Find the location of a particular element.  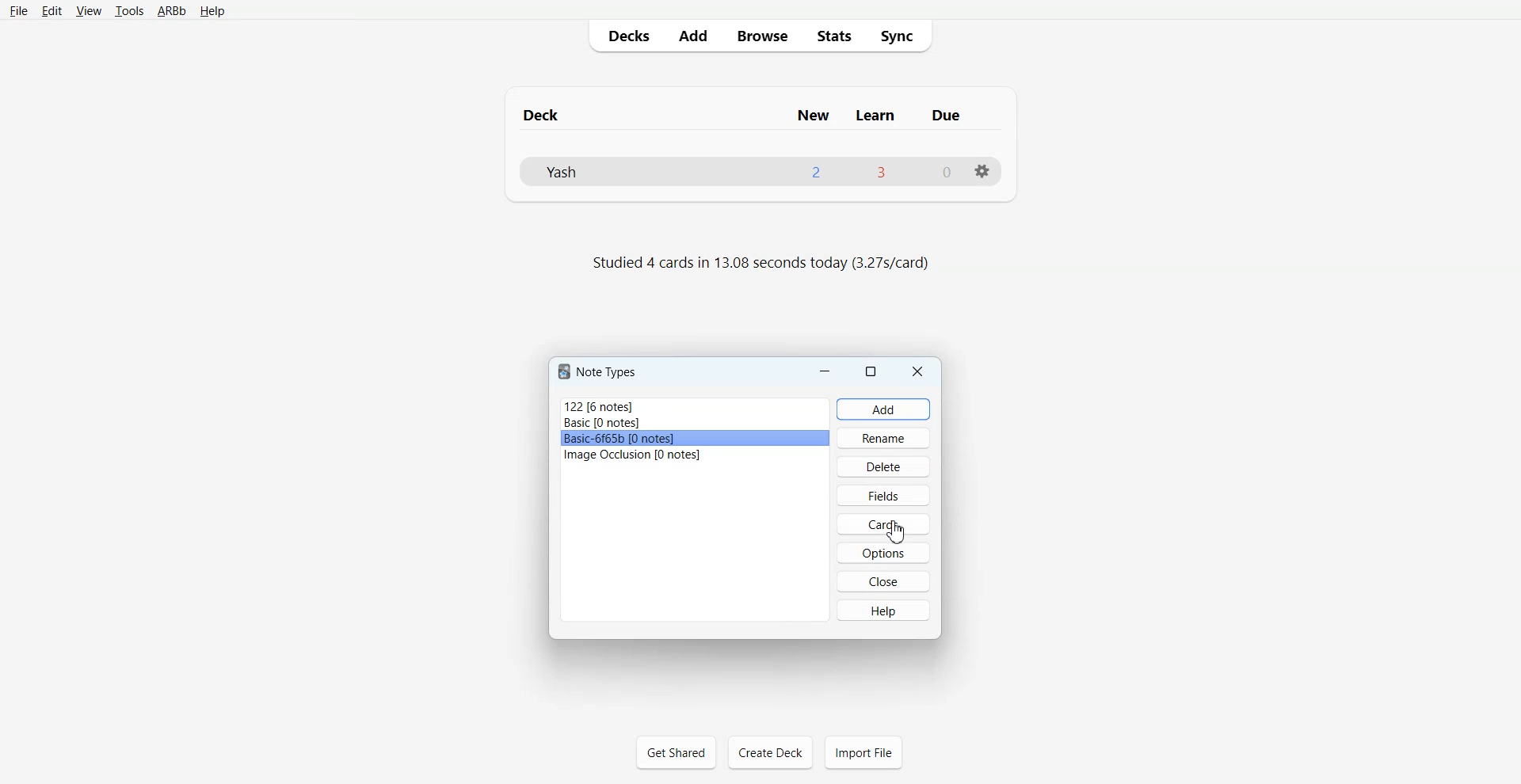

View is located at coordinates (87, 10).